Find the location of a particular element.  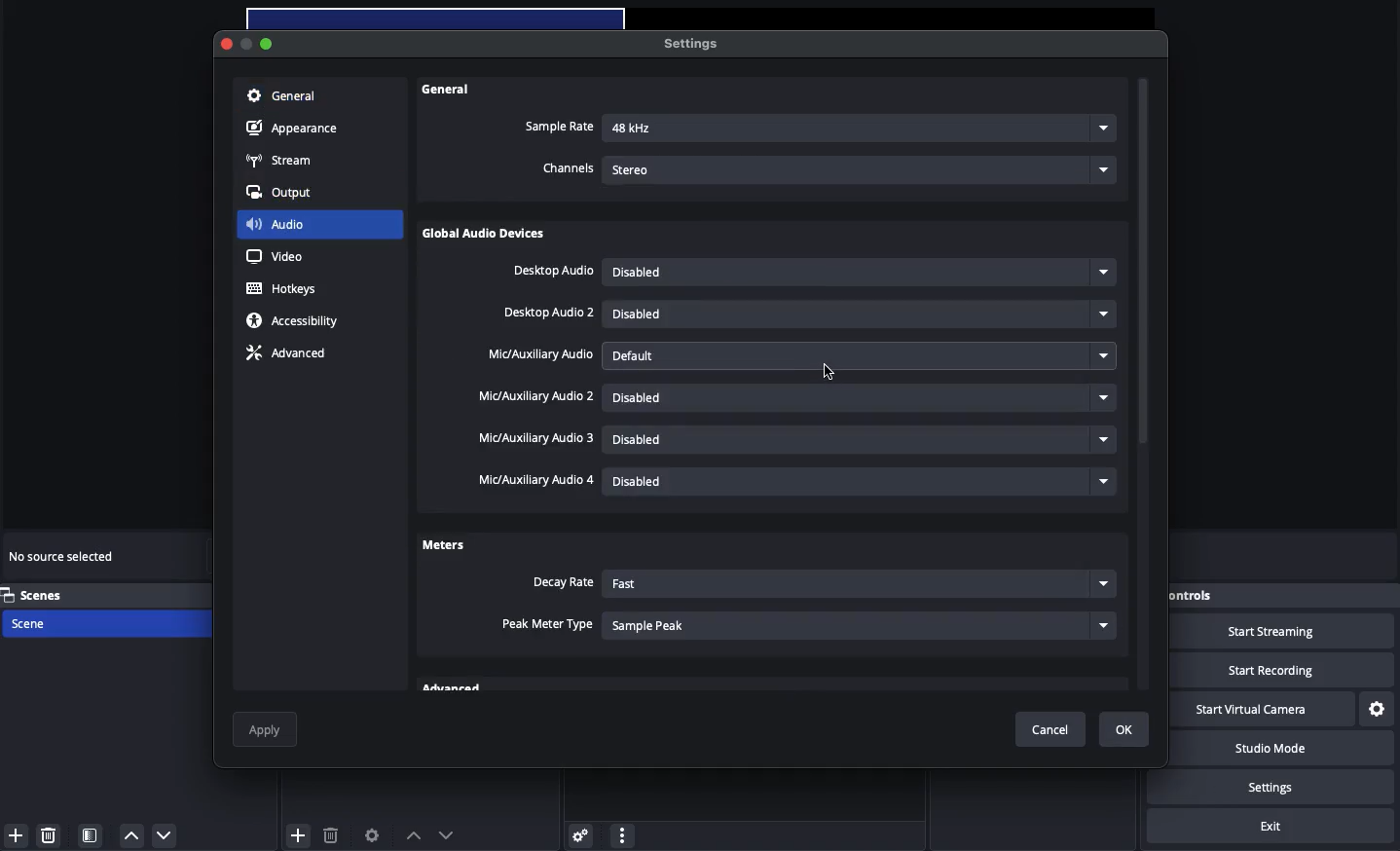

Sample rate is located at coordinates (559, 127).